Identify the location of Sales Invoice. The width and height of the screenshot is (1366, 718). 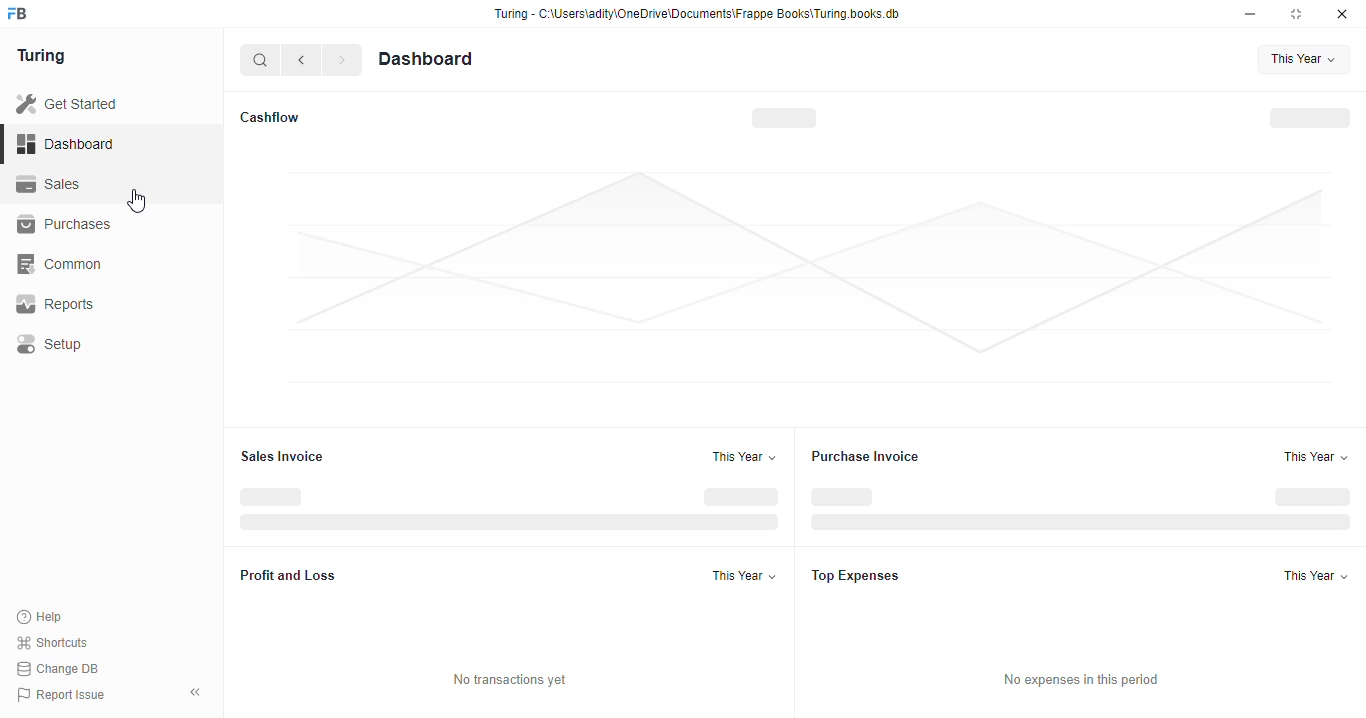
(302, 458).